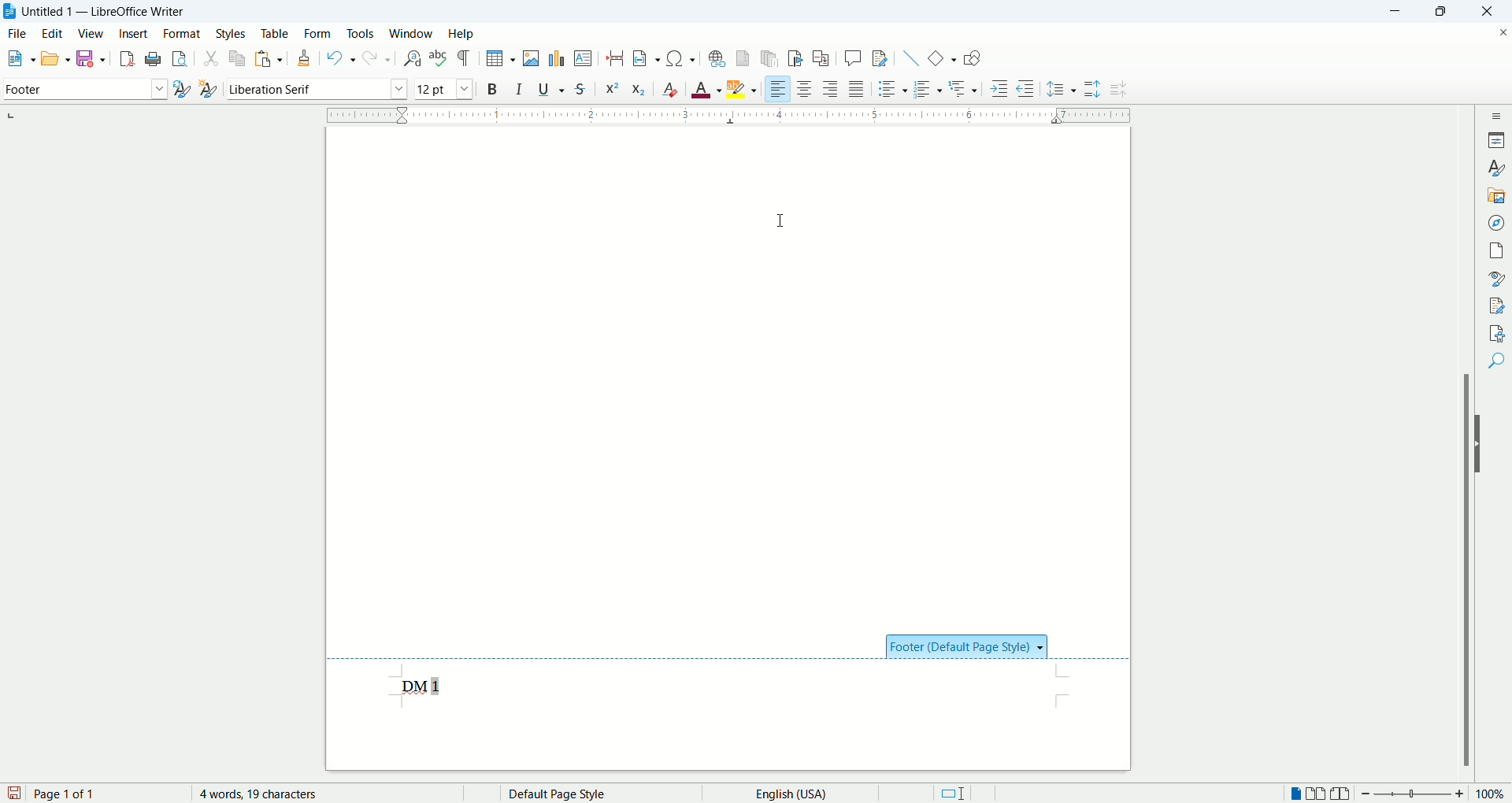 The image size is (1512, 803). I want to click on increase indent, so click(1000, 88).